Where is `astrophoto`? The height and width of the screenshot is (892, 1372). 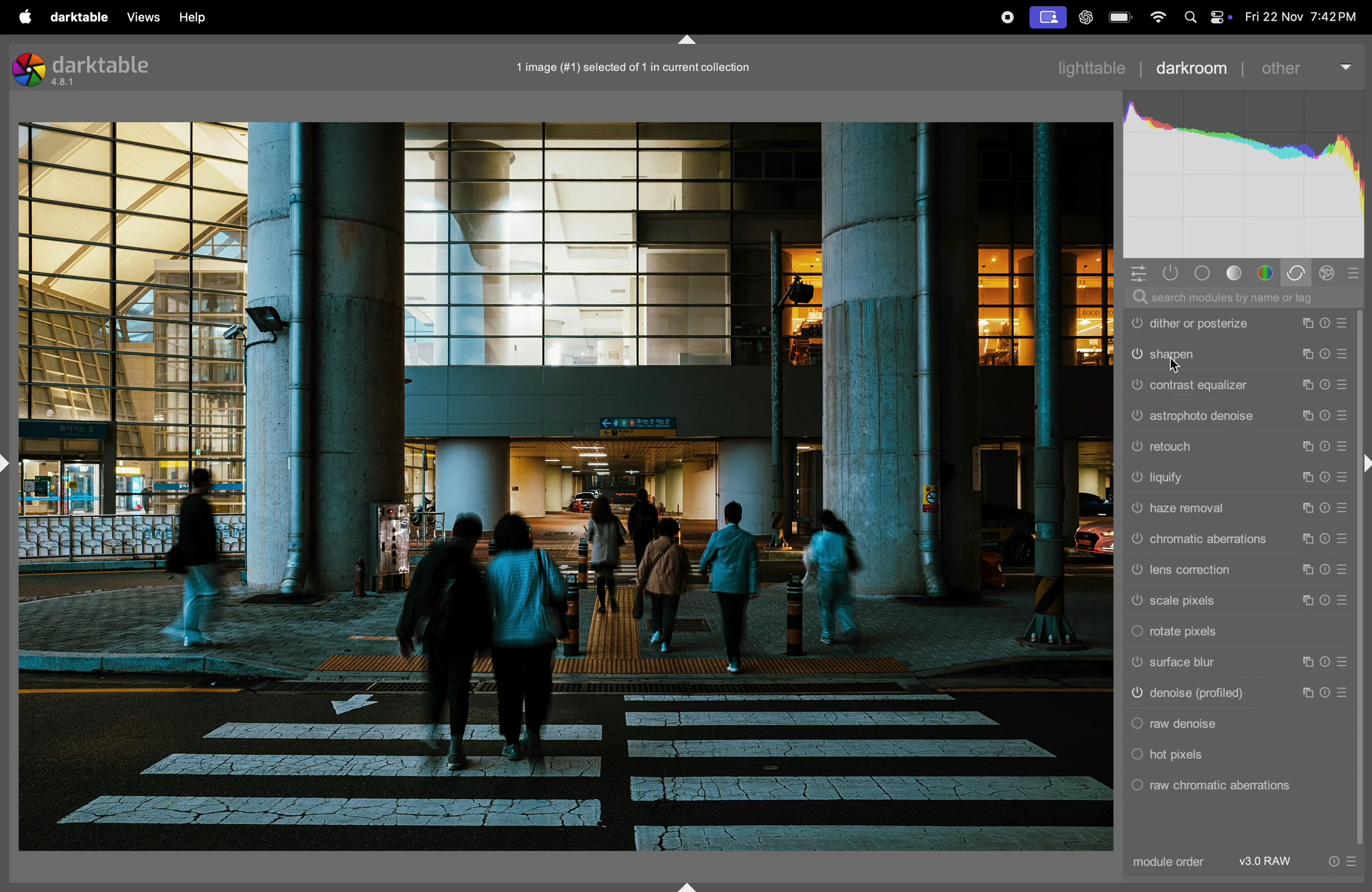 astrophoto is located at coordinates (1237, 416).